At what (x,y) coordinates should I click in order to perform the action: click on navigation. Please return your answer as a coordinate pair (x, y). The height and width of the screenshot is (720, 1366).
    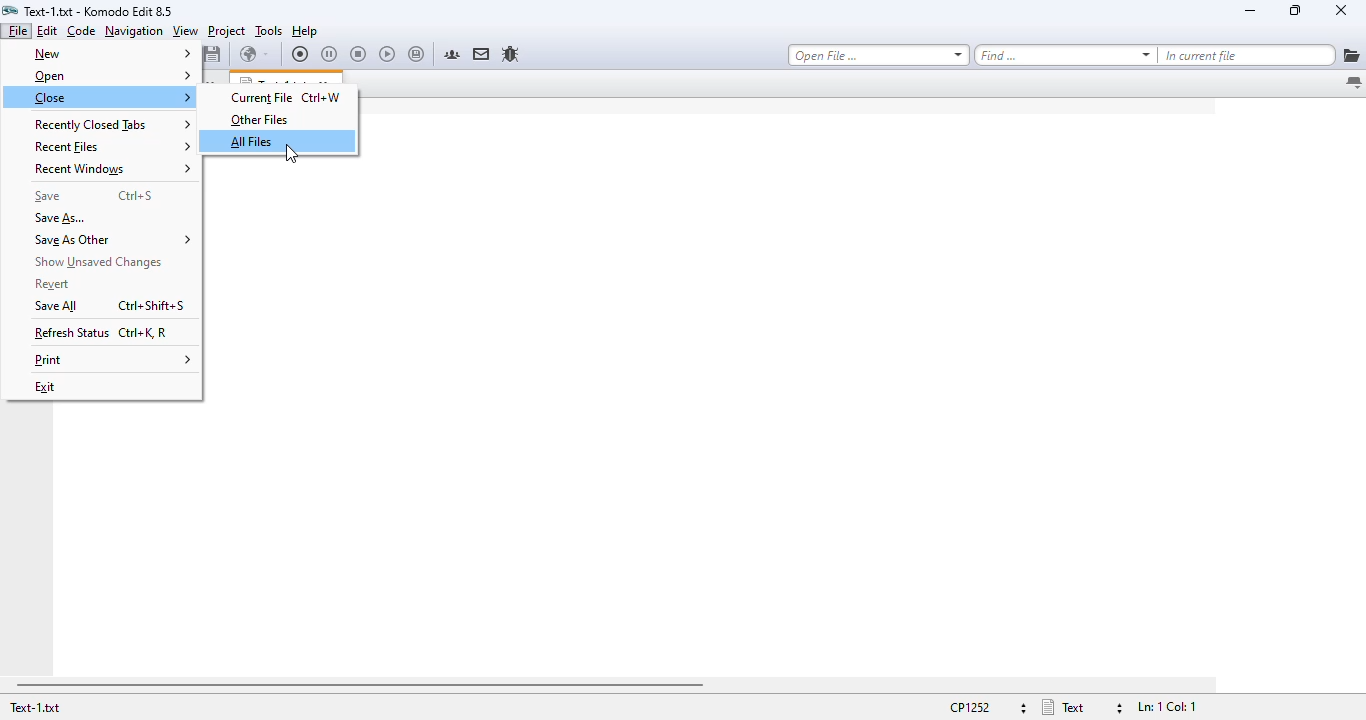
    Looking at the image, I should click on (134, 31).